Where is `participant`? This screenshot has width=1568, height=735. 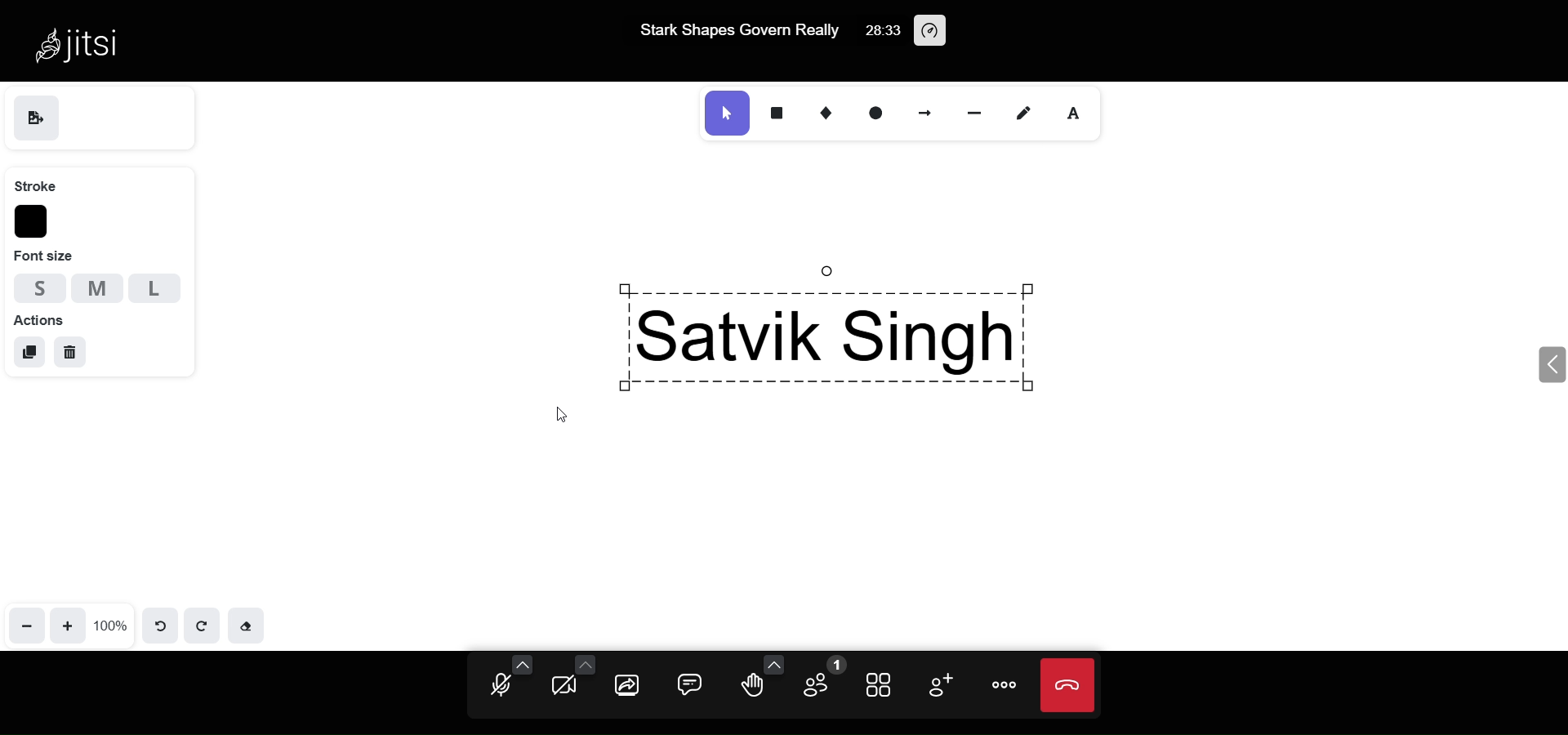 participant is located at coordinates (822, 679).